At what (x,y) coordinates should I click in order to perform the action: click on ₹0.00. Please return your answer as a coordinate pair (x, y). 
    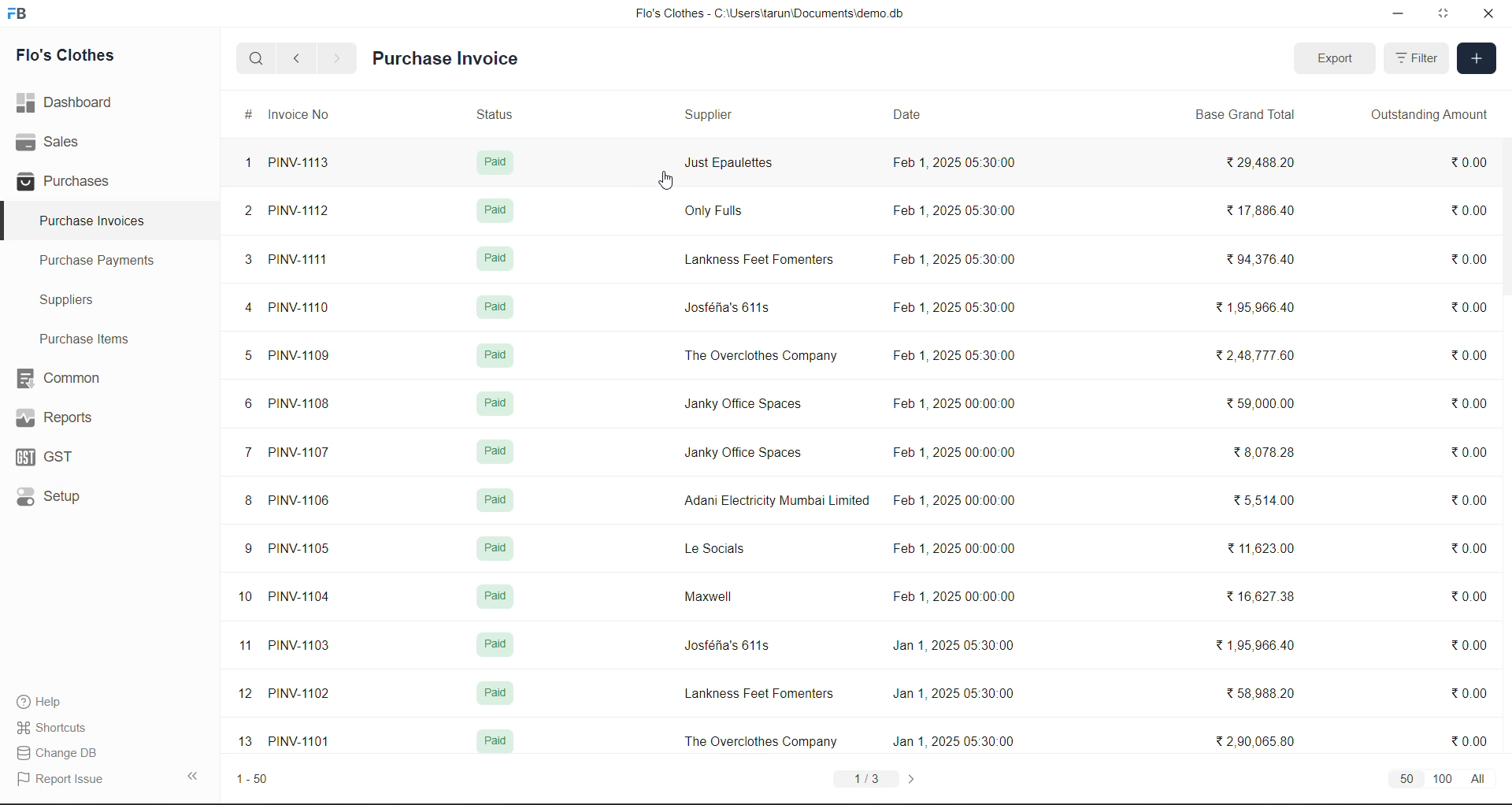
    Looking at the image, I should click on (1473, 551).